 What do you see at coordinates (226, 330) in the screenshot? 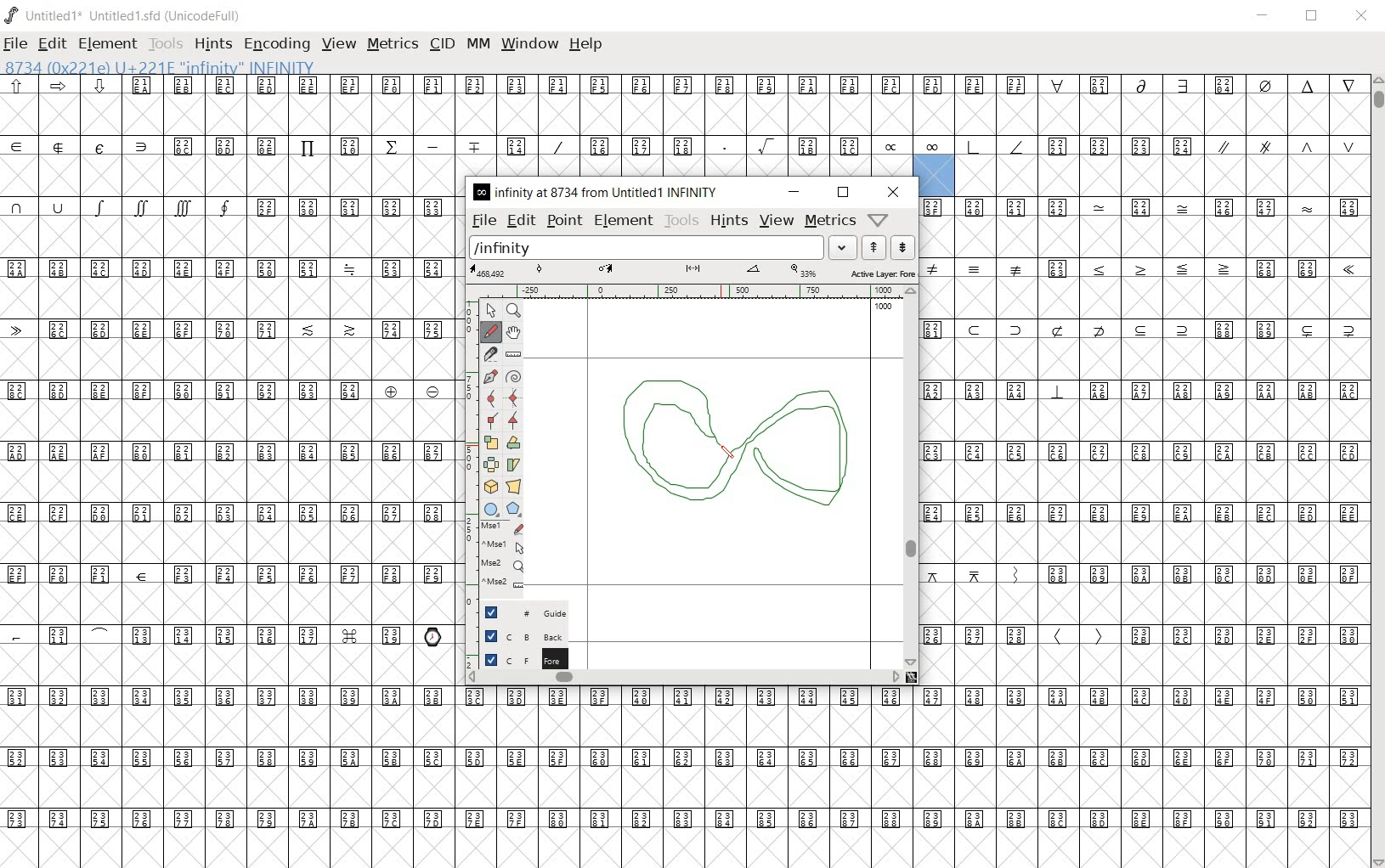
I see `Unicode code points` at bounding box center [226, 330].